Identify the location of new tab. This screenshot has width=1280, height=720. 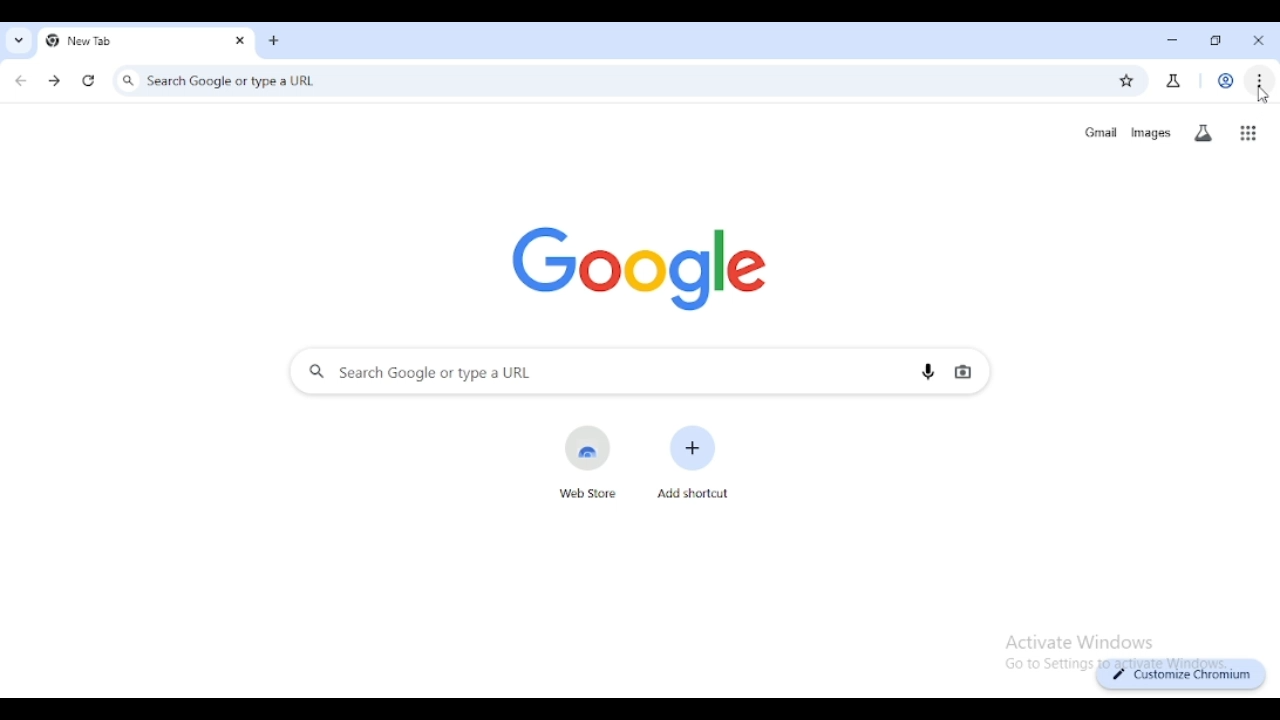
(274, 41).